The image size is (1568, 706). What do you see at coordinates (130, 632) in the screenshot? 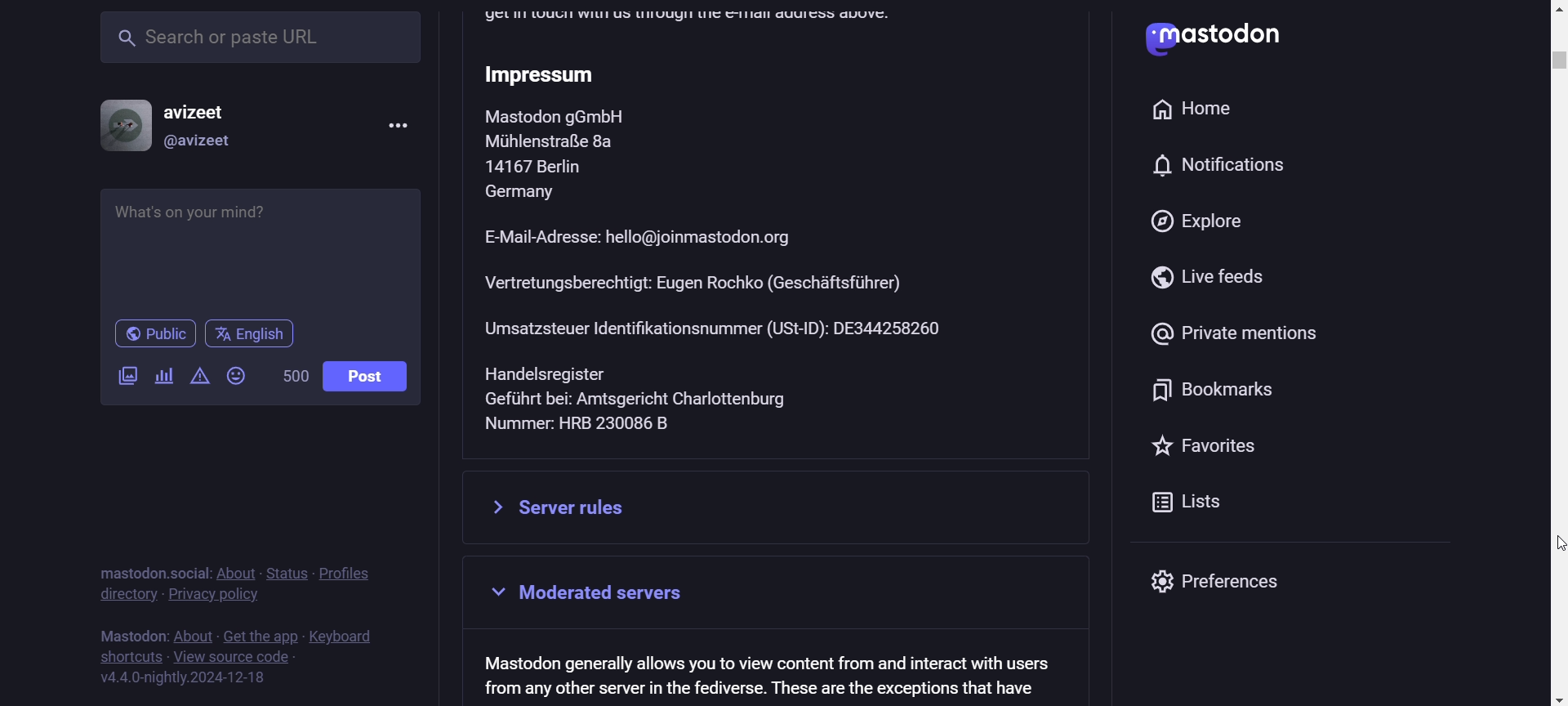
I see `text` at bounding box center [130, 632].